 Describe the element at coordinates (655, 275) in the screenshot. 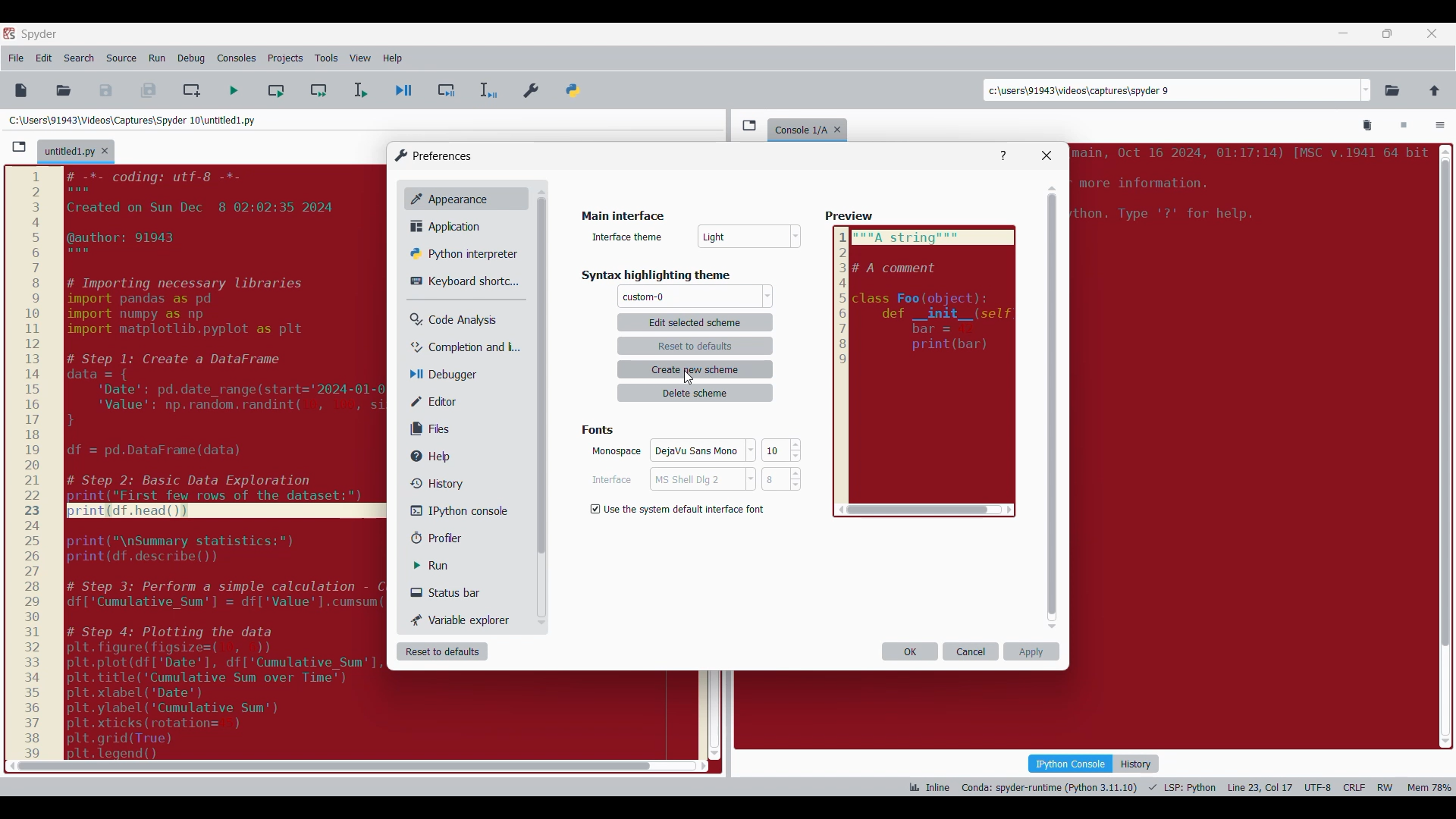

I see `Section title` at that location.